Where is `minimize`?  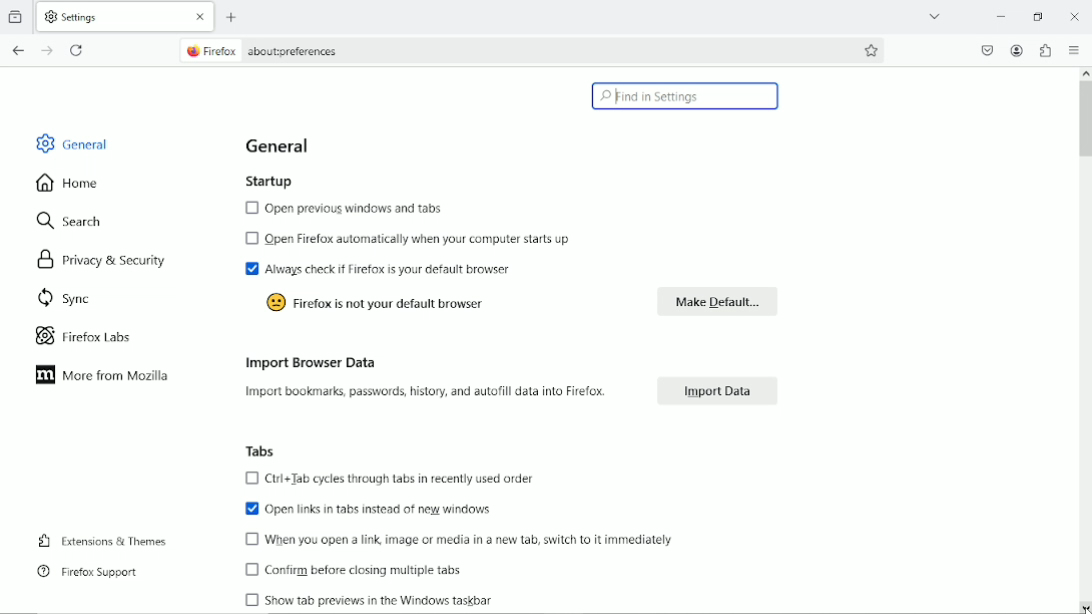
minimize is located at coordinates (999, 16).